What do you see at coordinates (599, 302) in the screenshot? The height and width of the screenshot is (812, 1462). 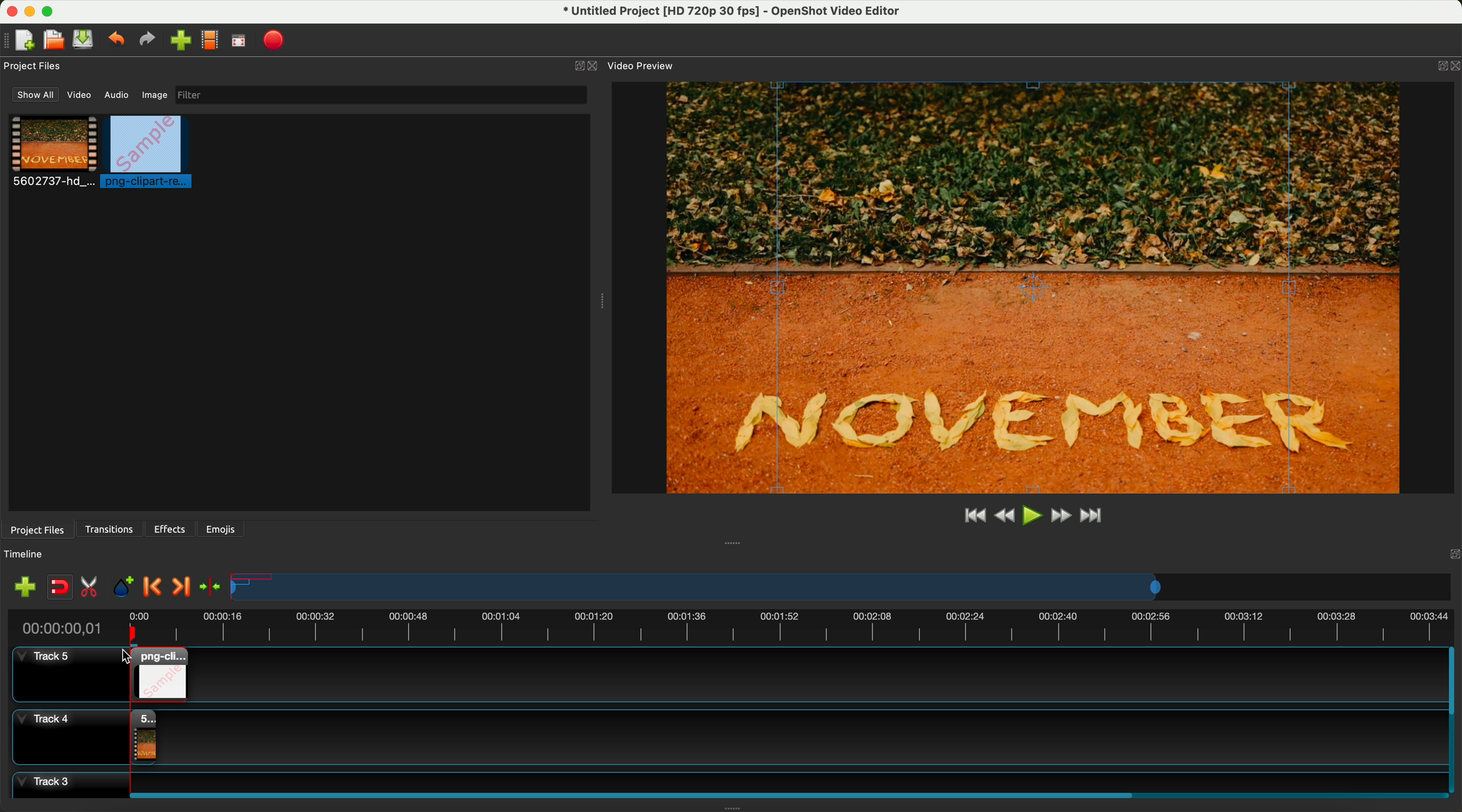 I see `Window Expanding` at bounding box center [599, 302].